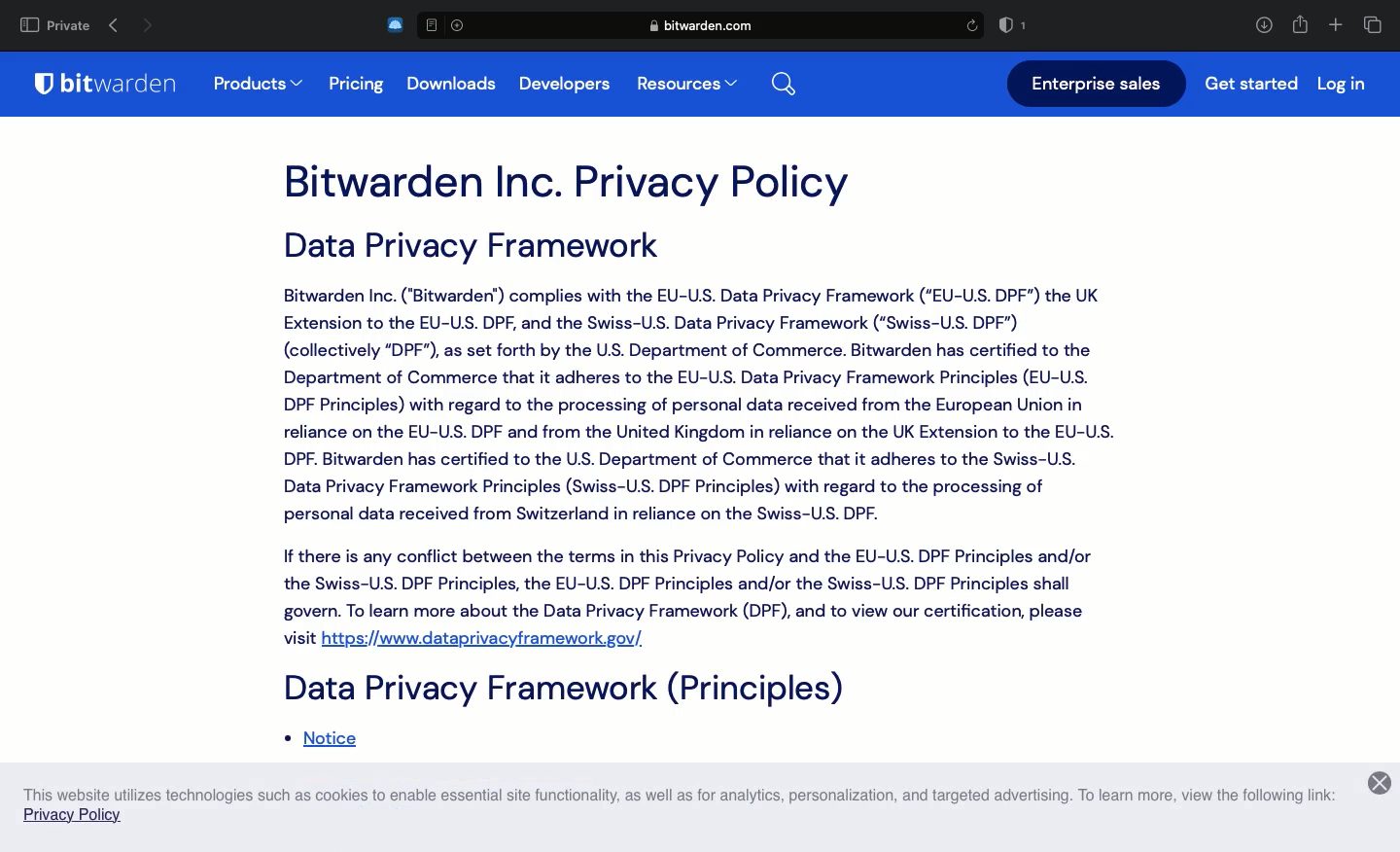  What do you see at coordinates (1301, 25) in the screenshot?
I see `Share` at bounding box center [1301, 25].